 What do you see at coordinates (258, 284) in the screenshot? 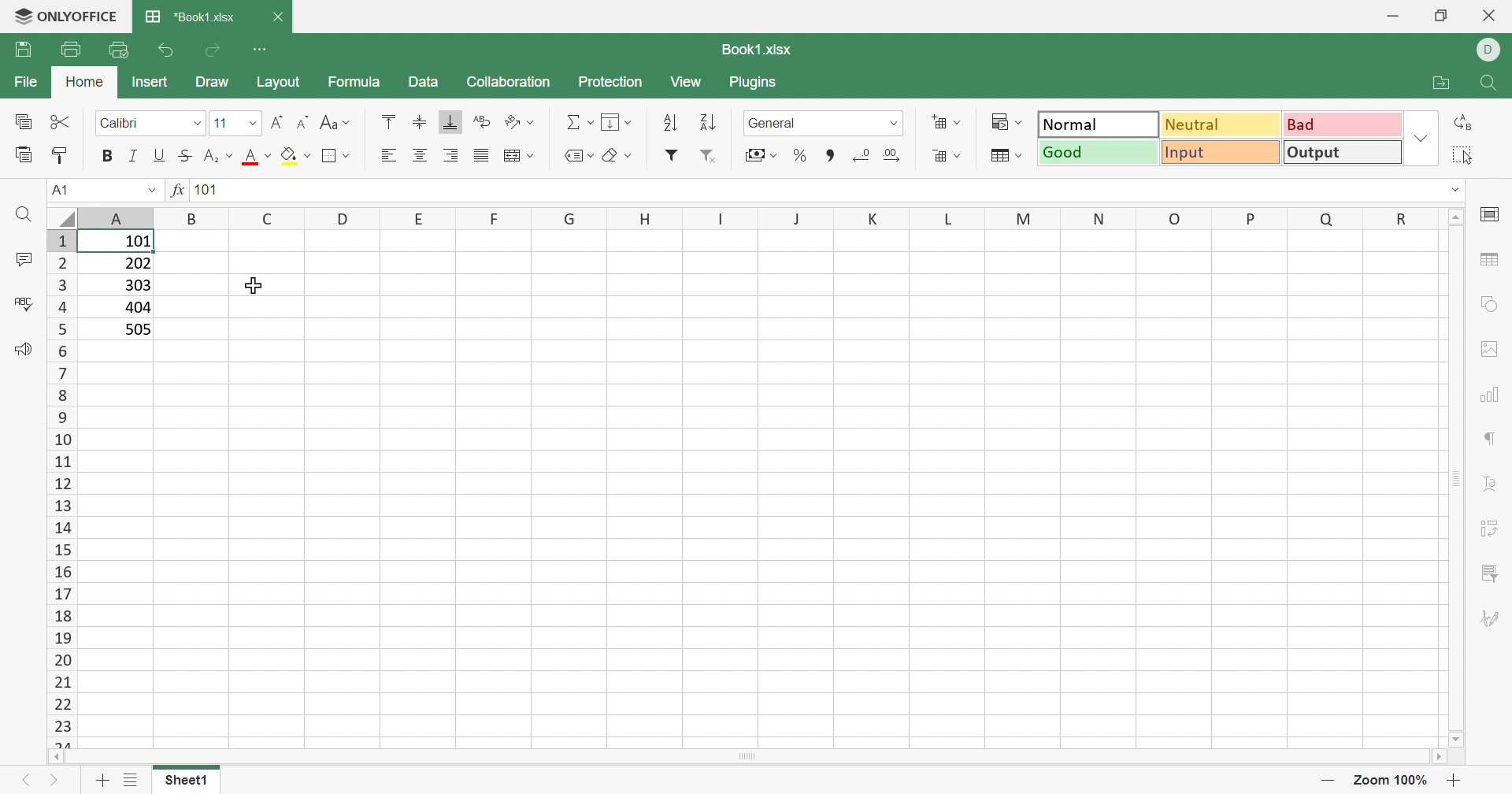
I see `Cursor` at bounding box center [258, 284].